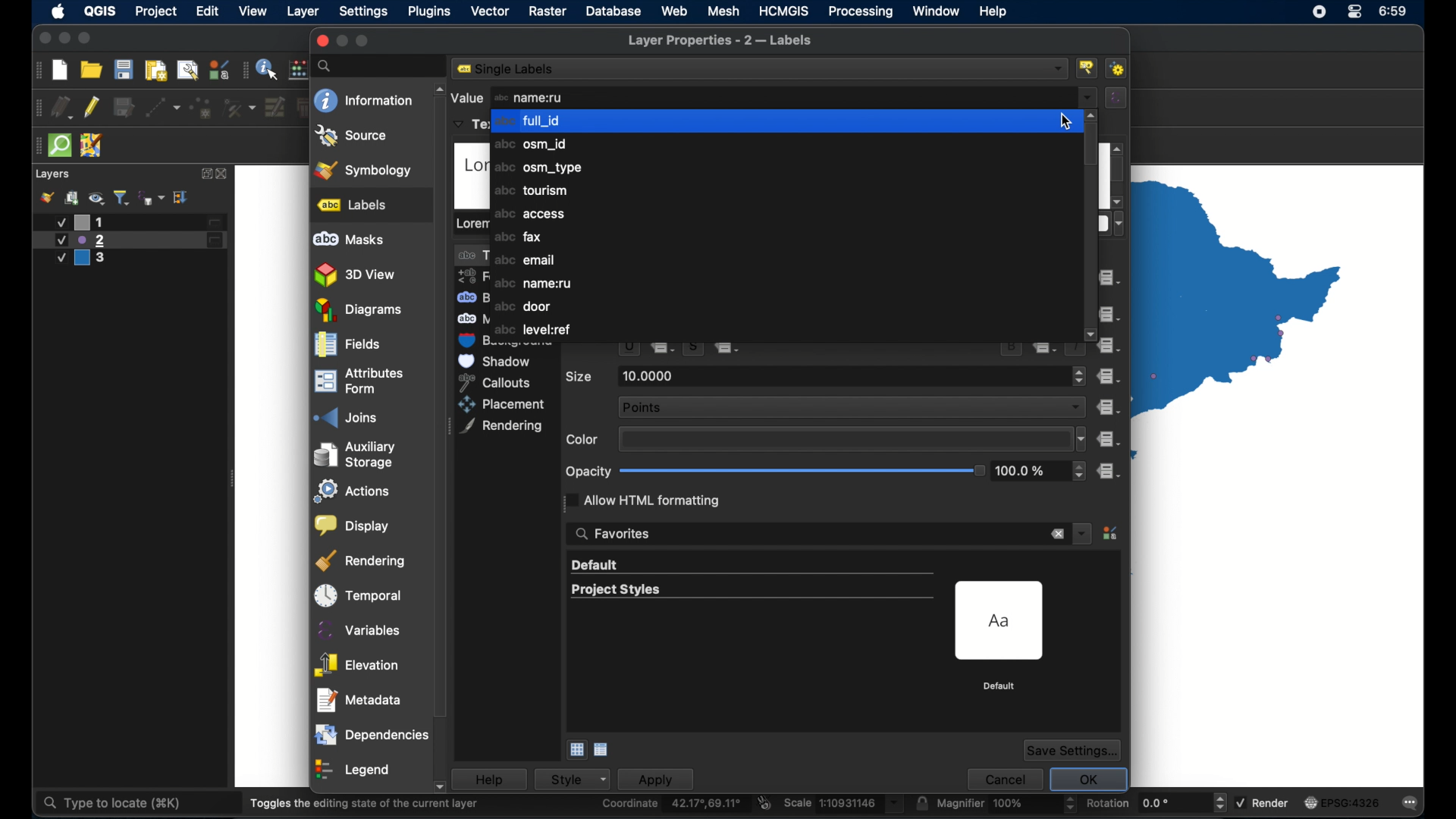 The width and height of the screenshot is (1456, 819). Describe the element at coordinates (497, 779) in the screenshot. I see `help` at that location.